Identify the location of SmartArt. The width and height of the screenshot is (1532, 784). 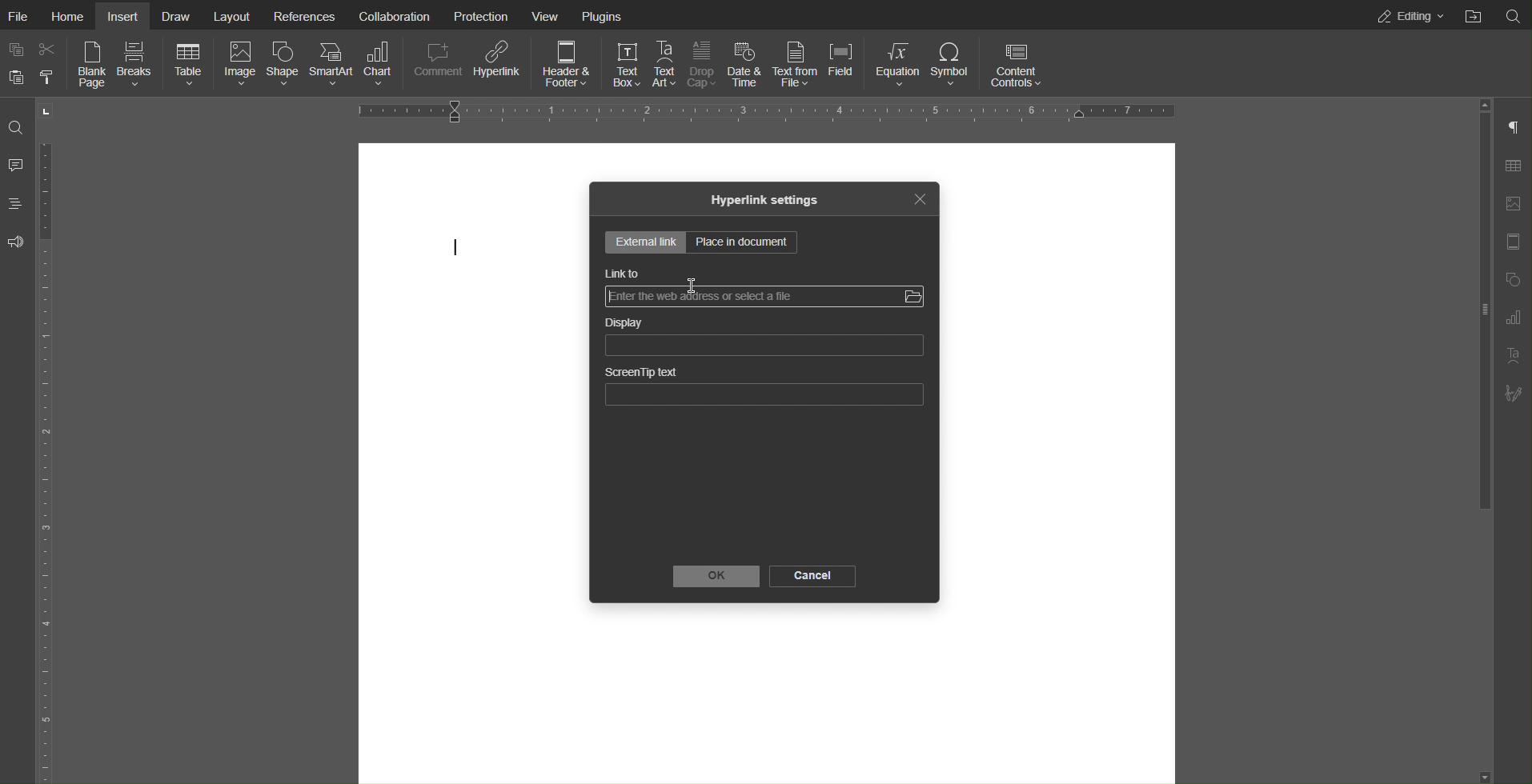
(332, 65).